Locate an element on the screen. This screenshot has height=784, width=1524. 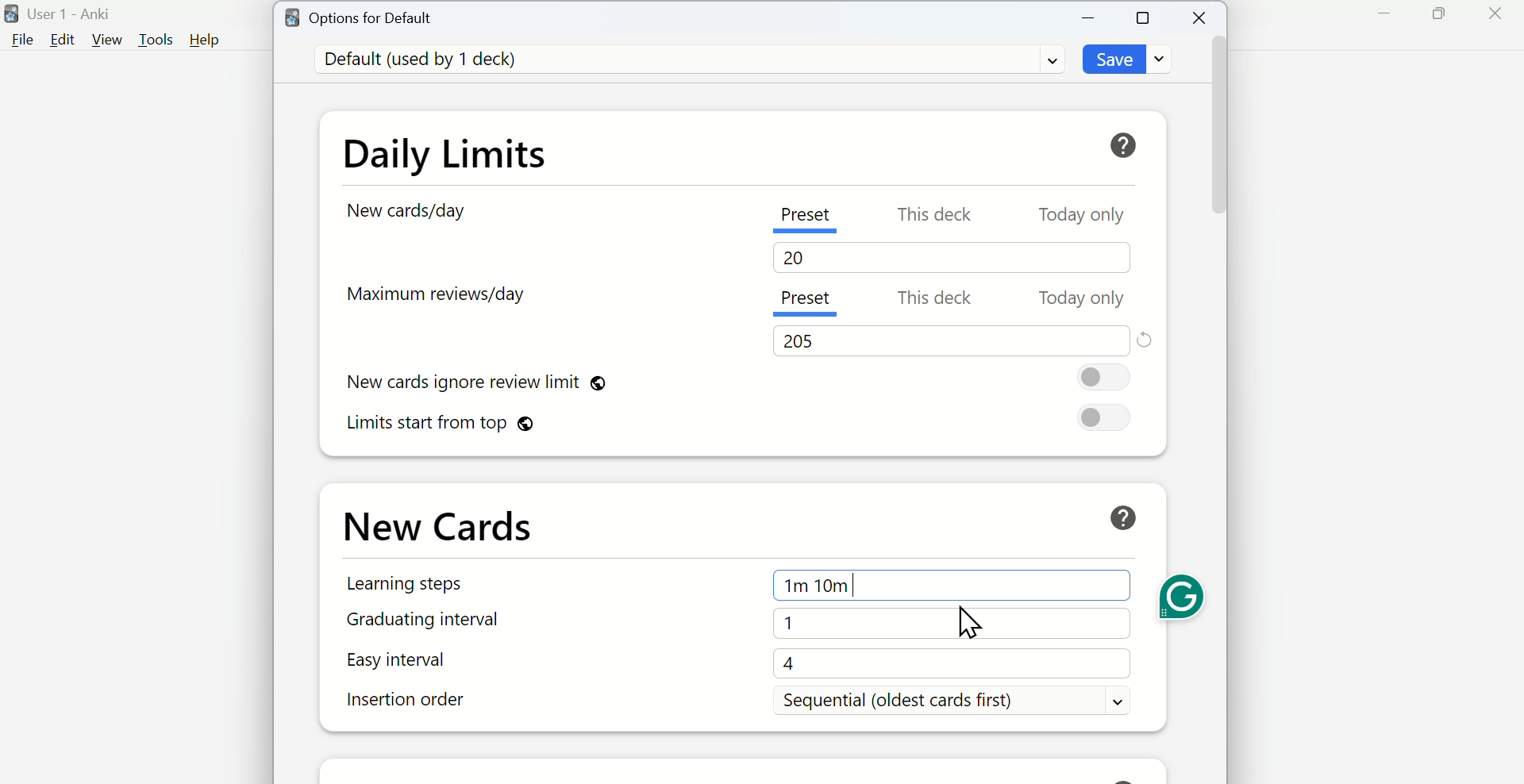
Limits start from top is located at coordinates (441, 425).